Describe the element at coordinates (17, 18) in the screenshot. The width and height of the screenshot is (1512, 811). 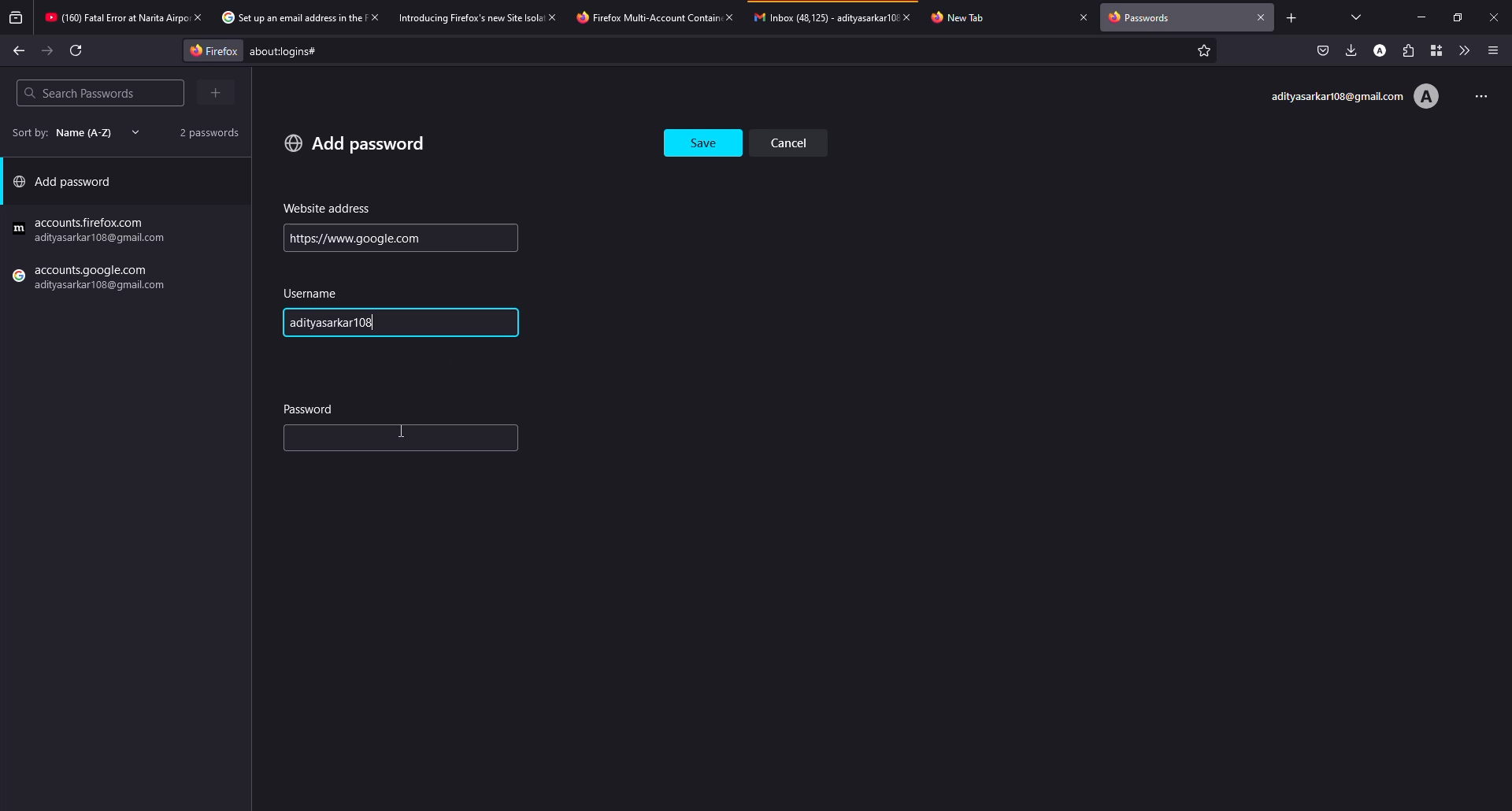
I see `view recent` at that location.